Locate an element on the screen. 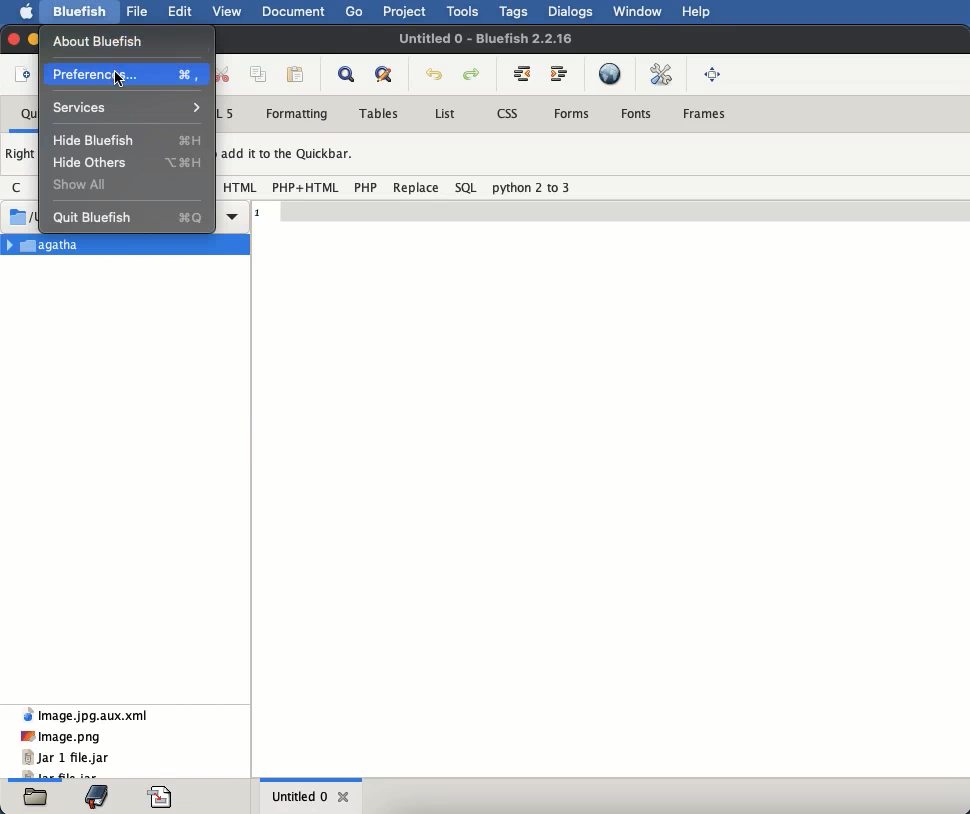  quit bluefish is located at coordinates (130, 216).